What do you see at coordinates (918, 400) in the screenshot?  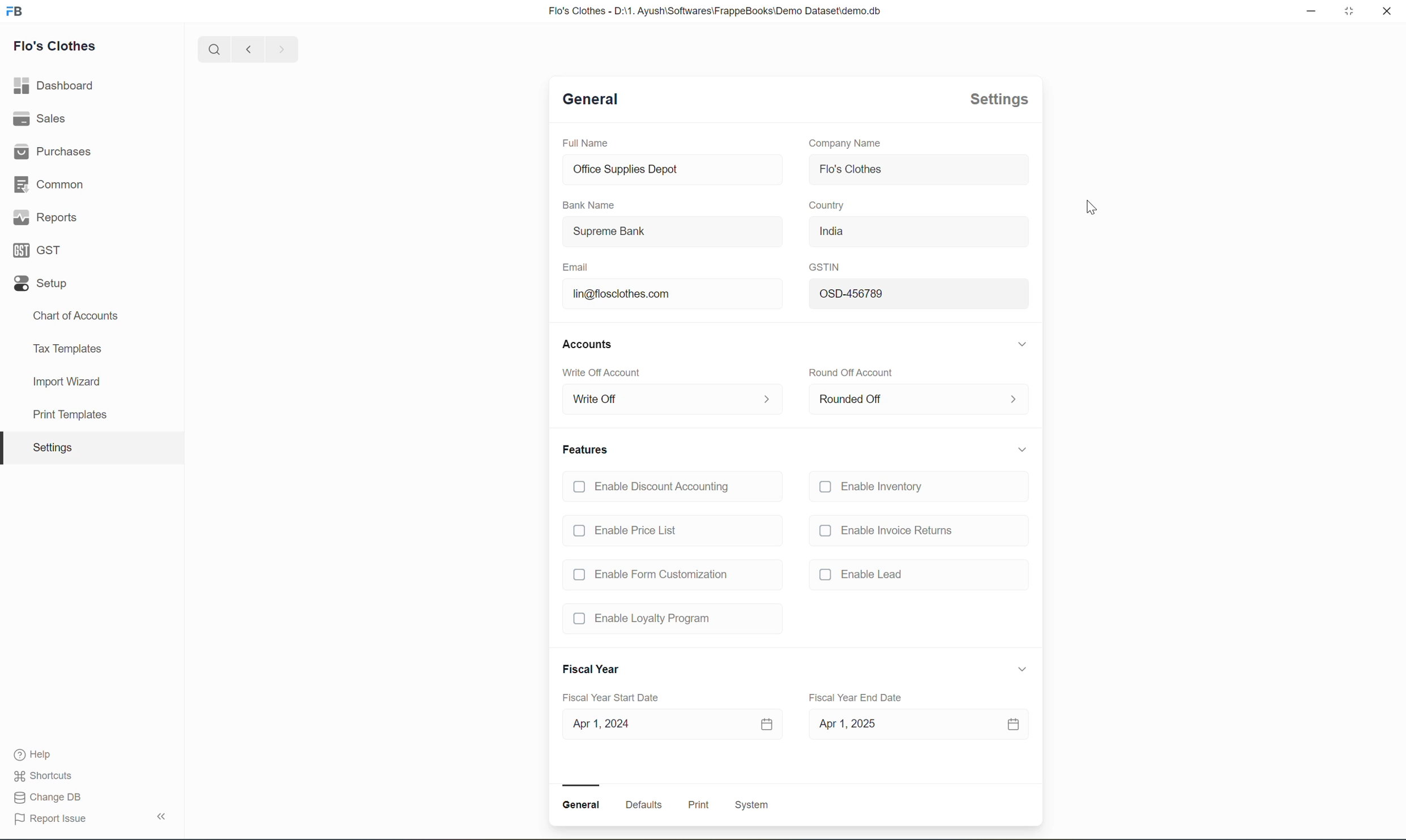 I see `Rounded Off` at bounding box center [918, 400].